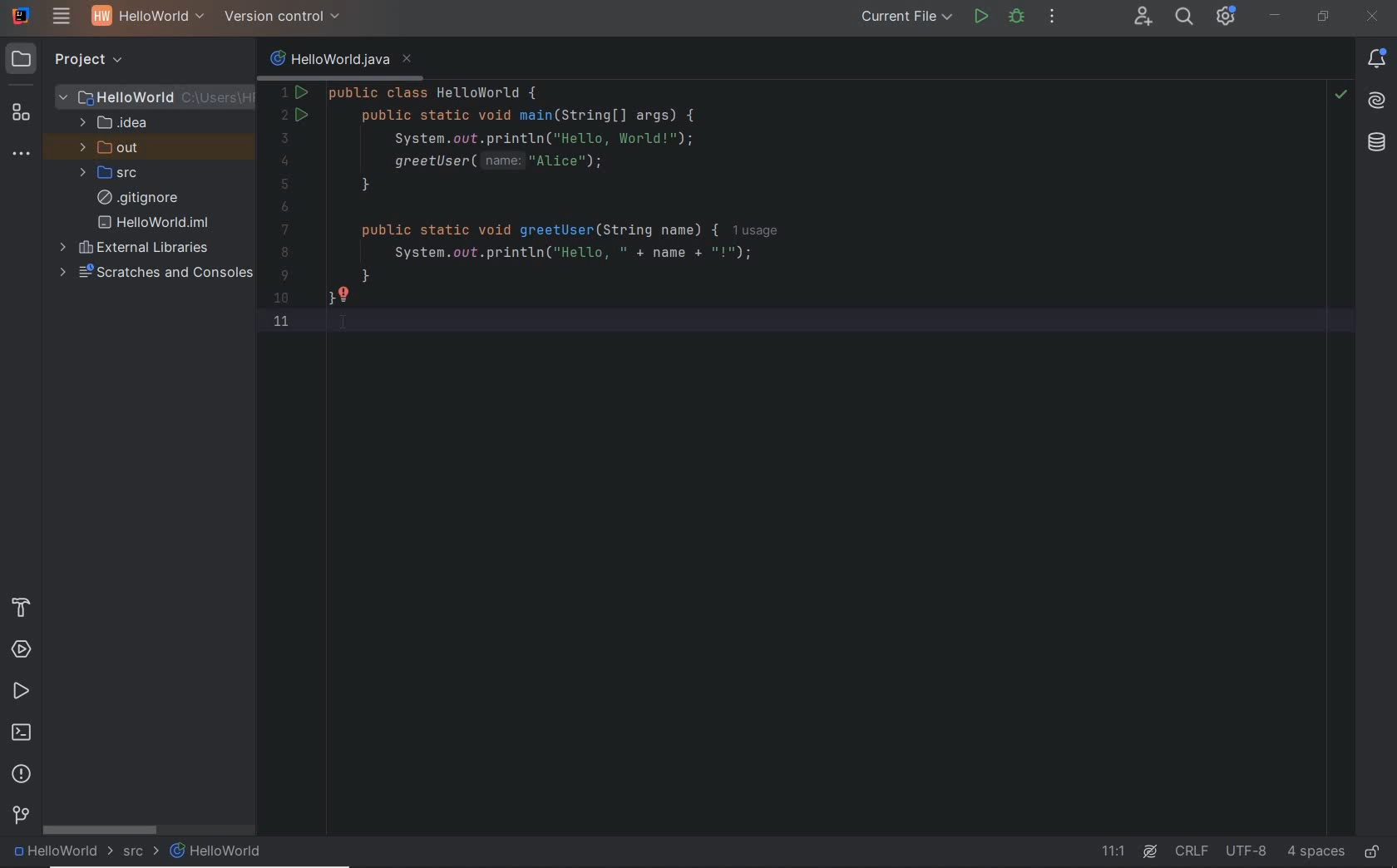 The image size is (1397, 868). I want to click on build, so click(25, 607).